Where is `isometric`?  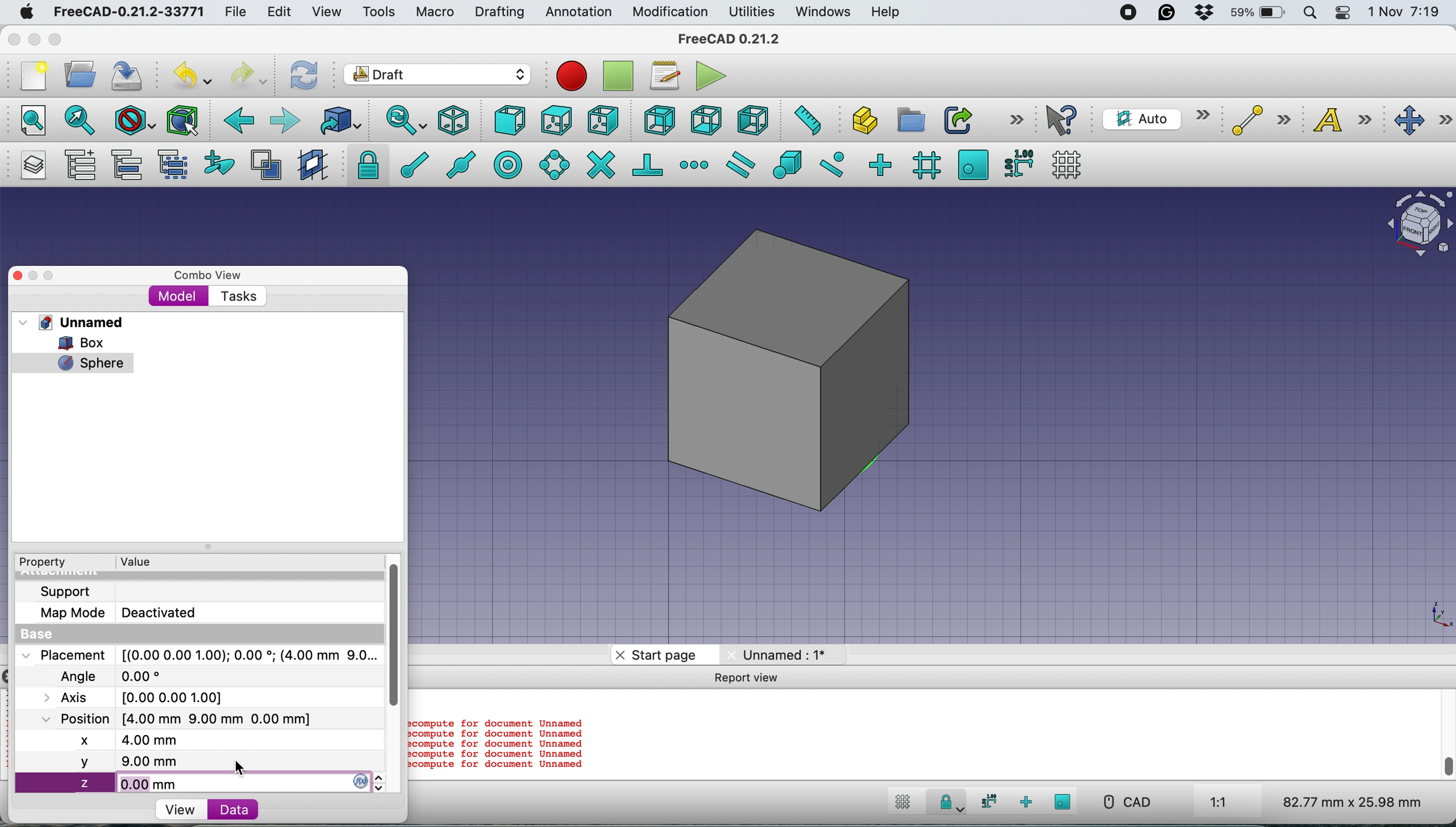 isometric is located at coordinates (458, 120).